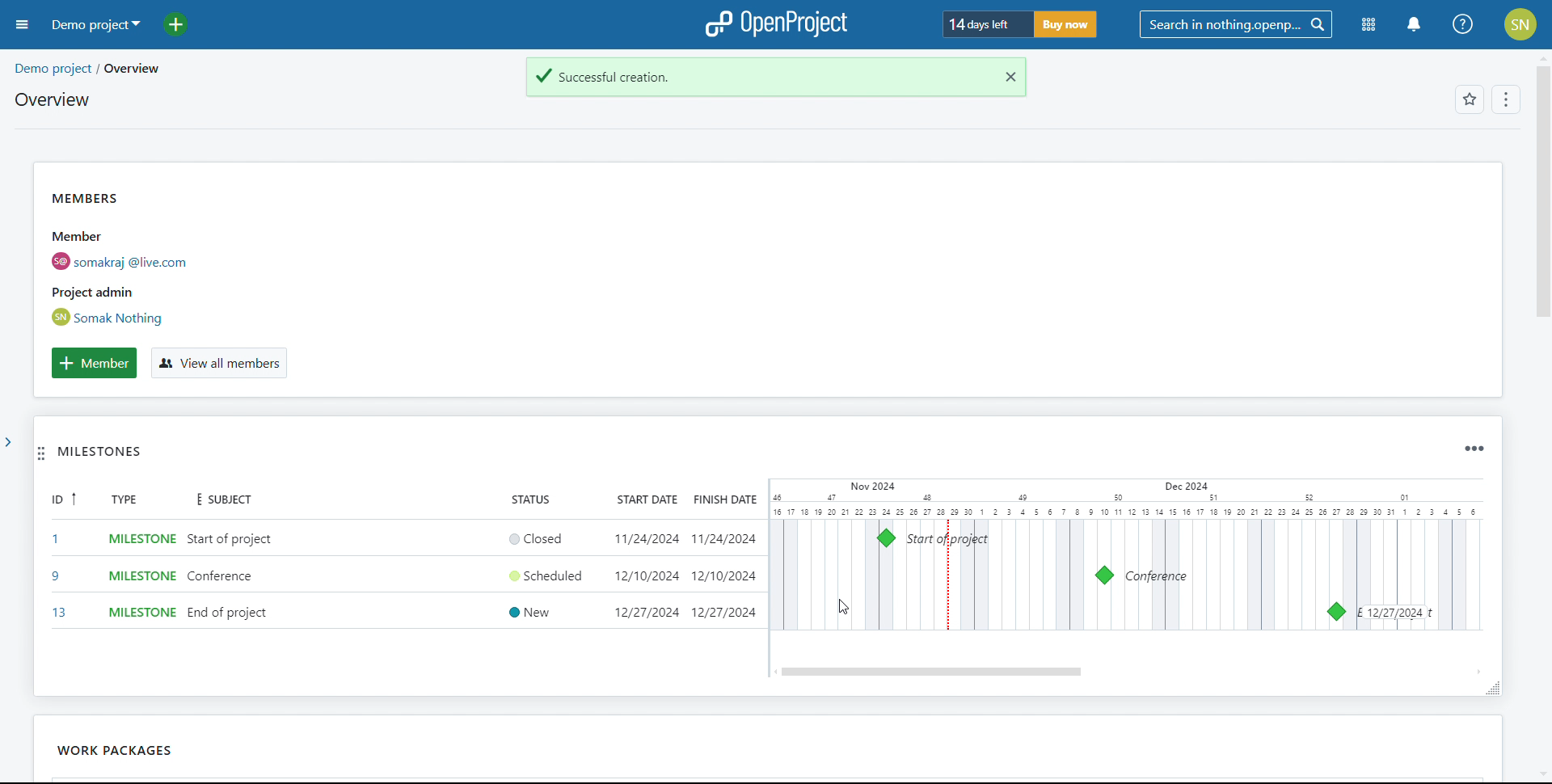 This screenshot has height=784, width=1552. I want to click on set start and end date, so click(678, 575).